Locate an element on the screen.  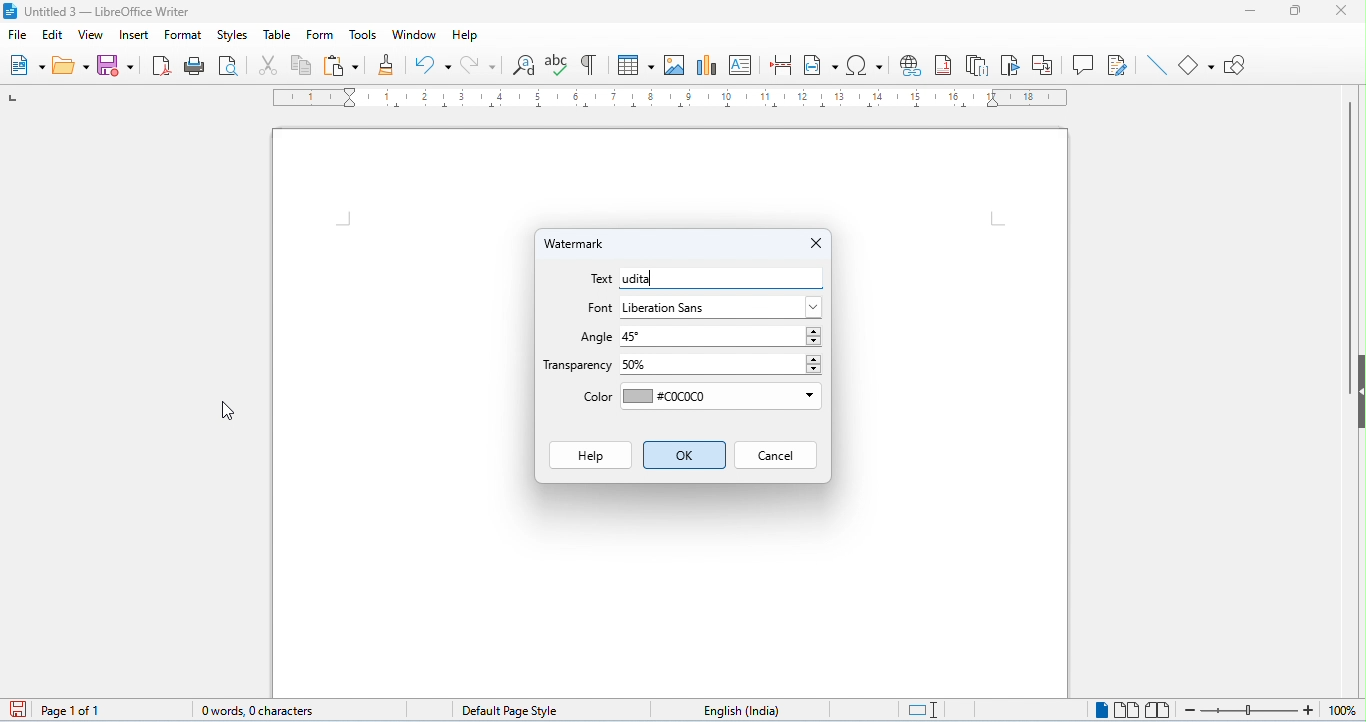
print is located at coordinates (196, 67).